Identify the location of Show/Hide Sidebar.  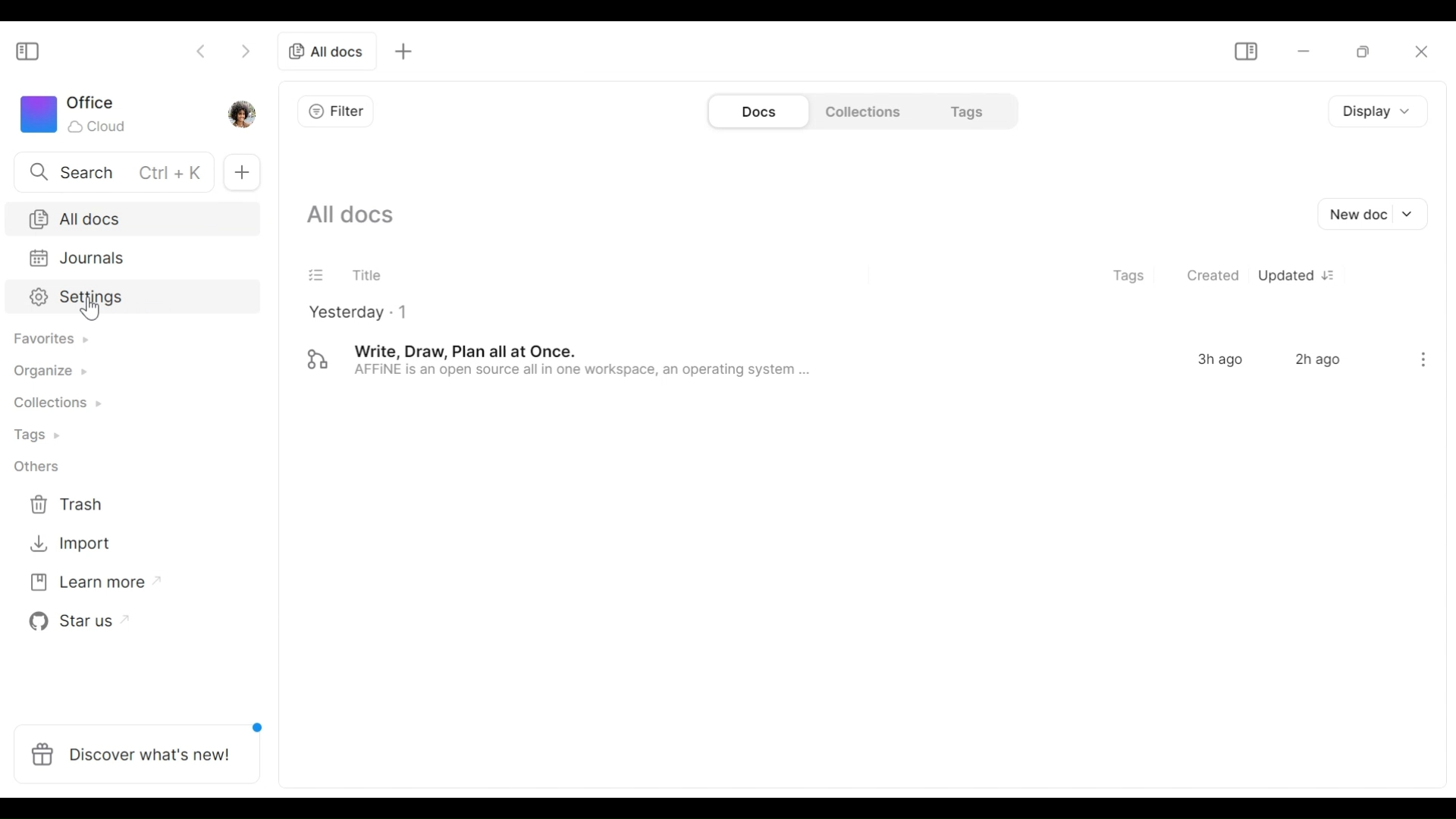
(30, 52).